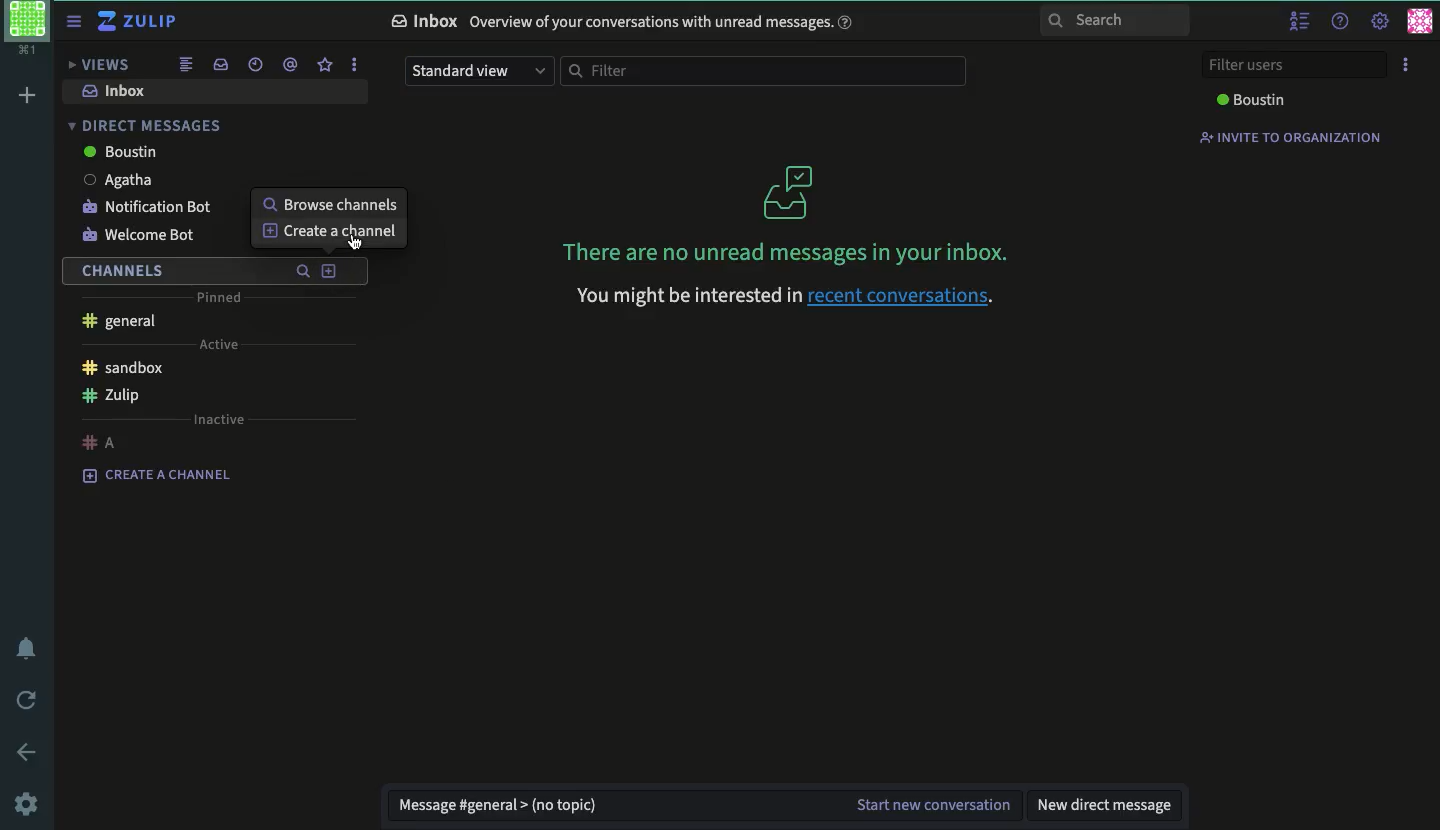 The image size is (1440, 830). Describe the element at coordinates (1298, 20) in the screenshot. I see `hide user list` at that location.